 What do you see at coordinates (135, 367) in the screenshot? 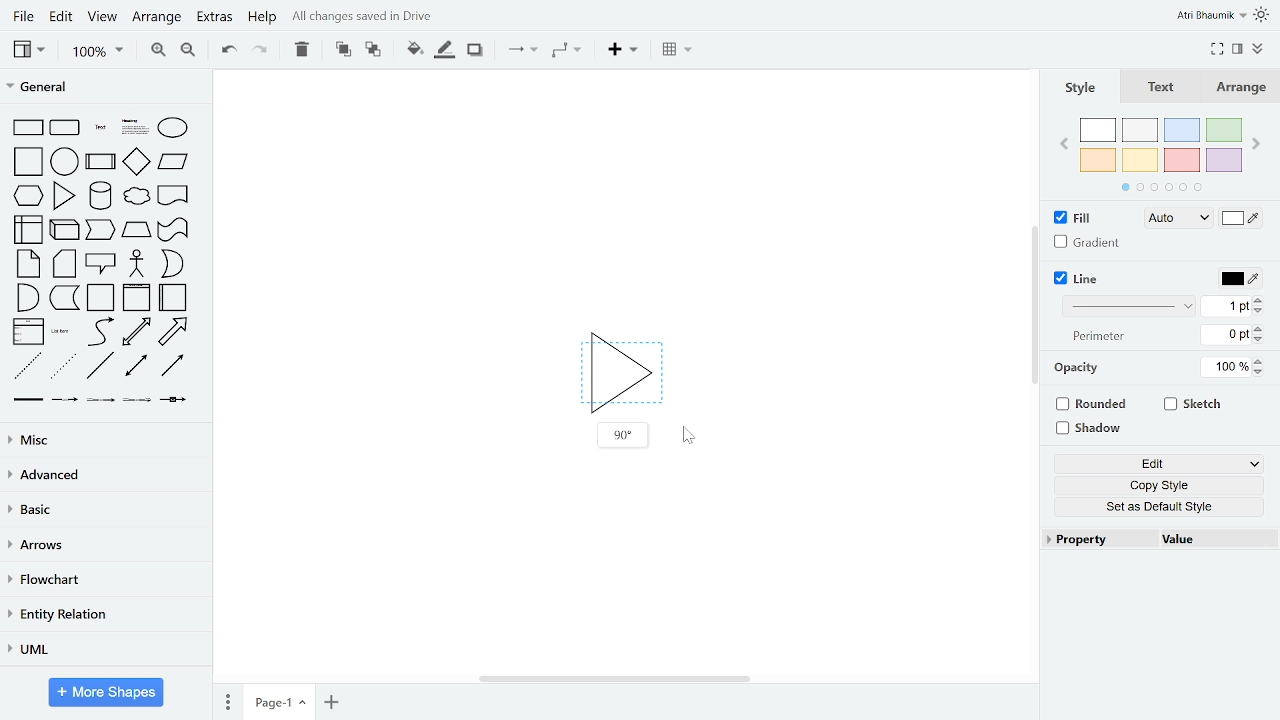
I see `bidirectional arrow` at bounding box center [135, 367].